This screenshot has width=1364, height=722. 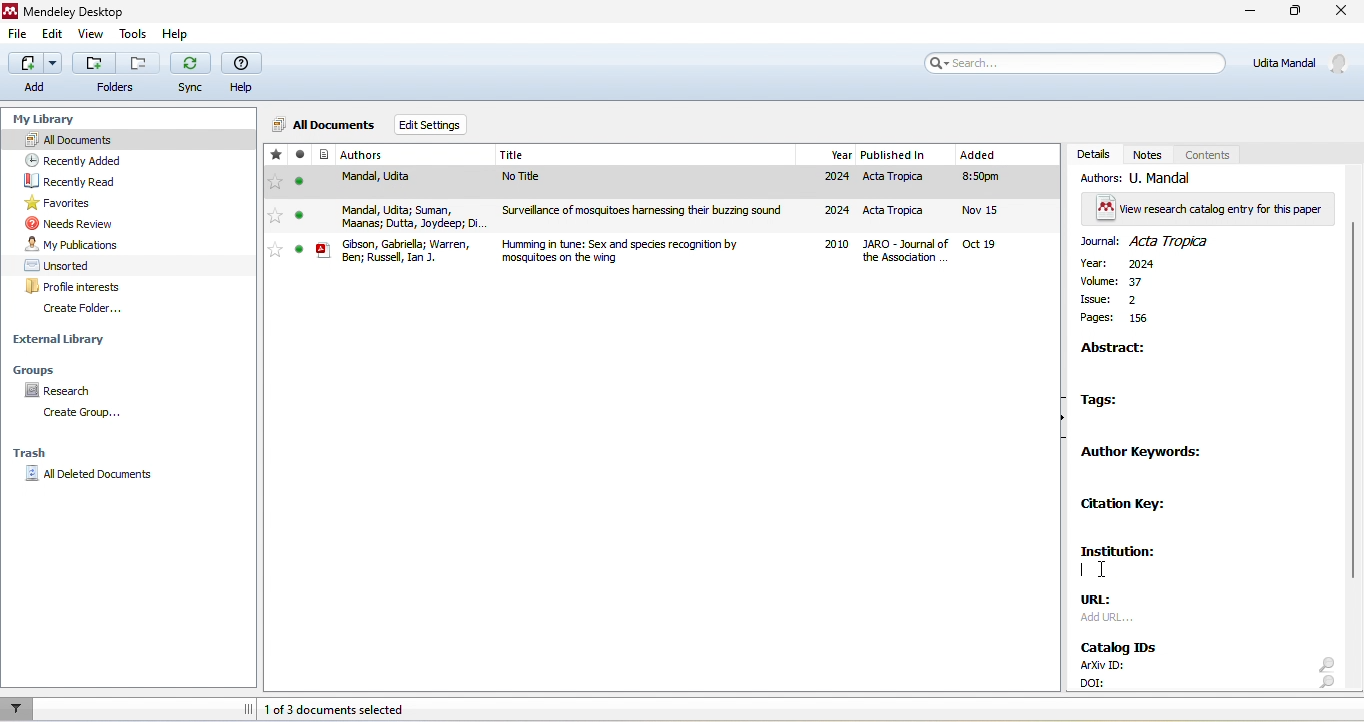 I want to click on mandal,udita, suman,maanas,dutta,joydeep, so click(x=390, y=215).